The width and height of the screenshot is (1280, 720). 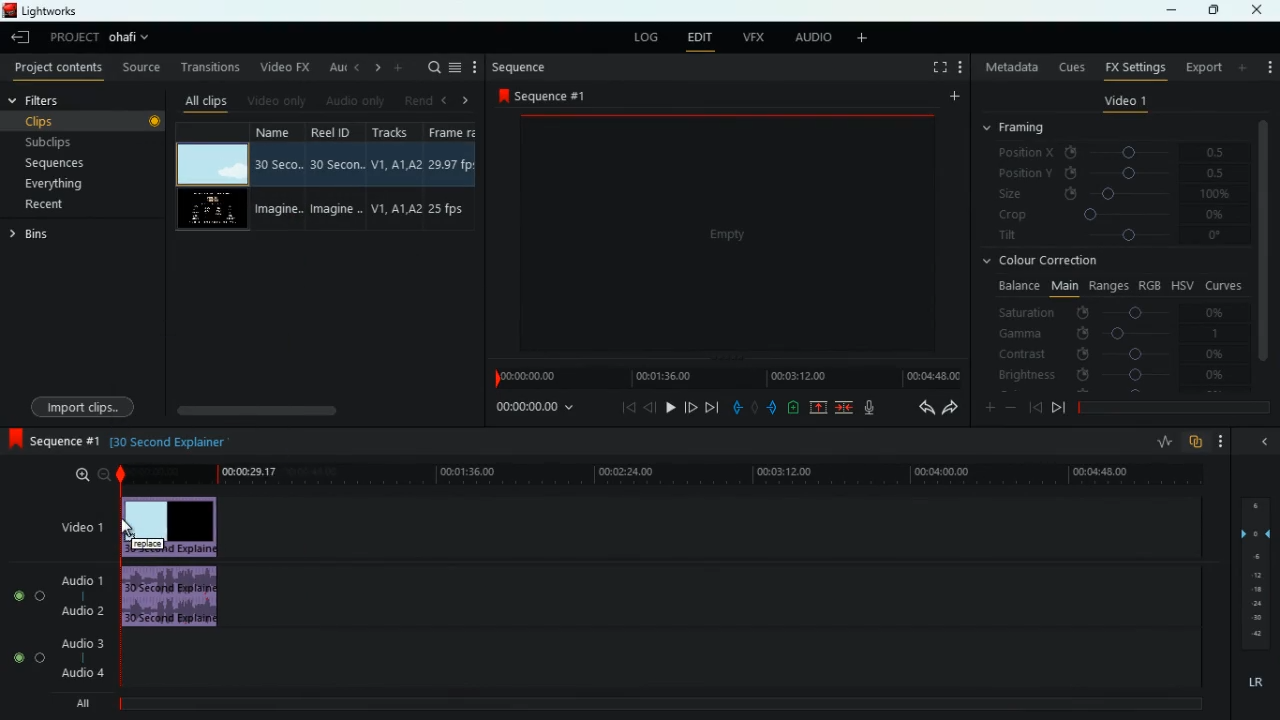 What do you see at coordinates (1064, 286) in the screenshot?
I see `main` at bounding box center [1064, 286].